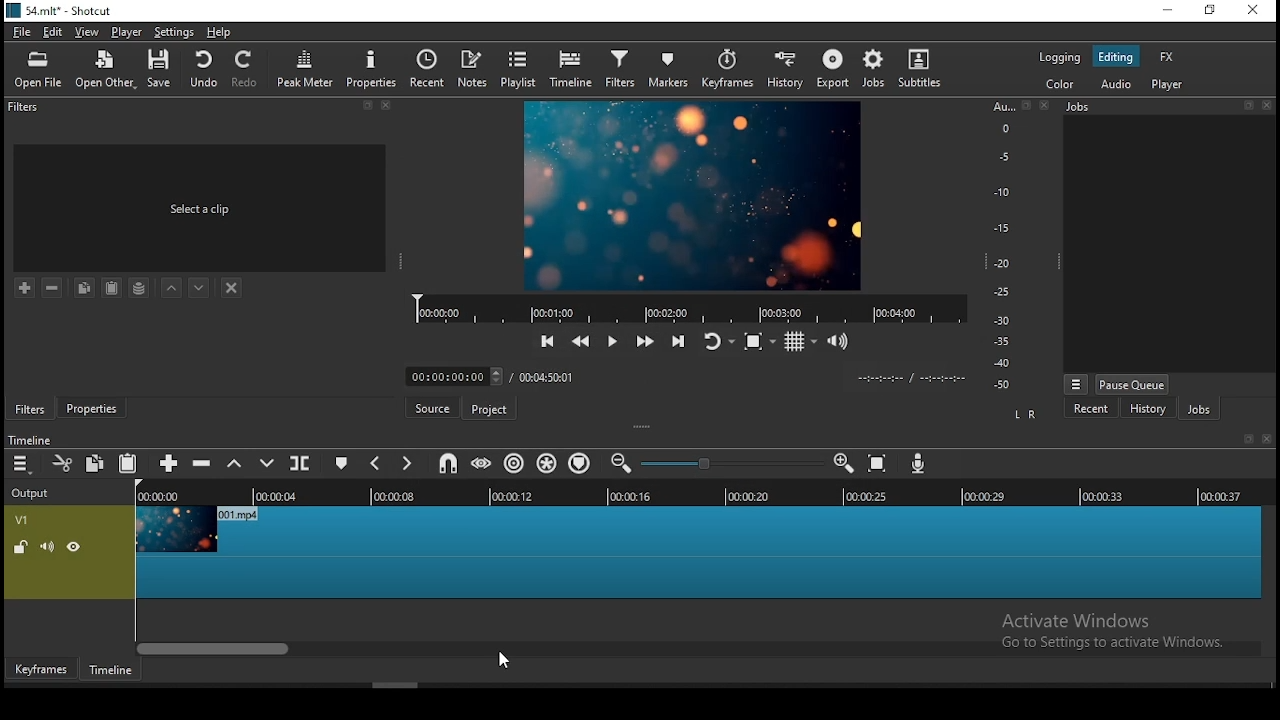 The image size is (1280, 720). What do you see at coordinates (693, 308) in the screenshot?
I see `record` at bounding box center [693, 308].